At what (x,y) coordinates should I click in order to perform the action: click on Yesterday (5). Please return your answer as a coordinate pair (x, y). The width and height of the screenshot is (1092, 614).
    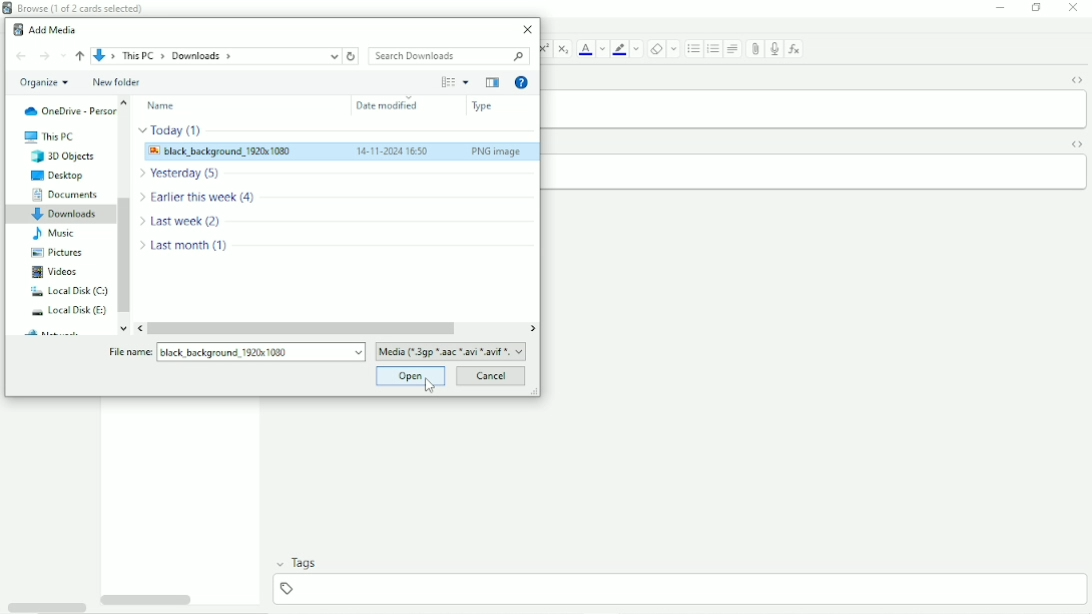
    Looking at the image, I should click on (181, 174).